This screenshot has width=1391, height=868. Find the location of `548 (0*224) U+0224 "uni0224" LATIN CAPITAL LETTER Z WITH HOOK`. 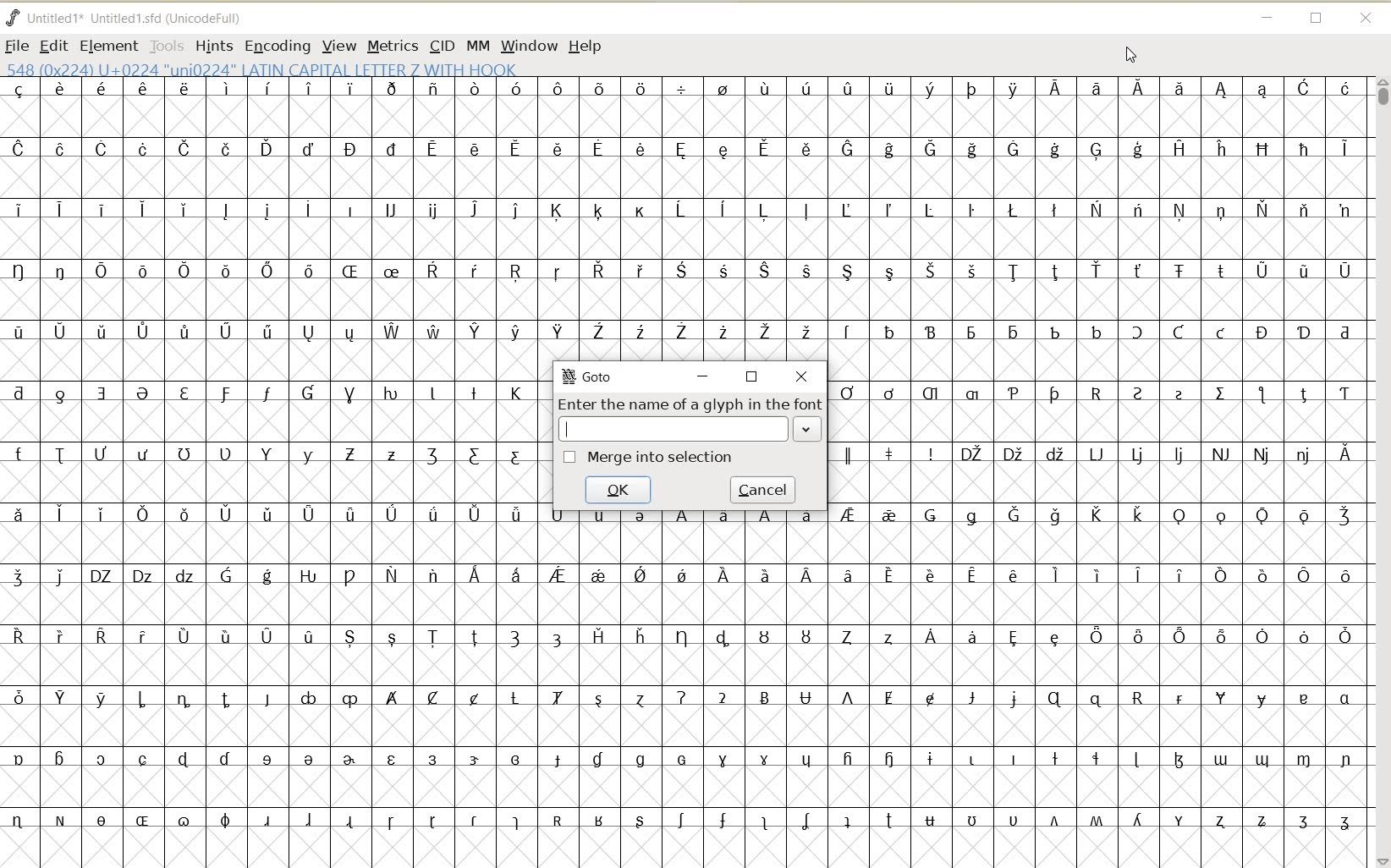

548 (0*224) U+0224 "uni0224" LATIN CAPITAL LETTER Z WITH HOOK is located at coordinates (264, 69).